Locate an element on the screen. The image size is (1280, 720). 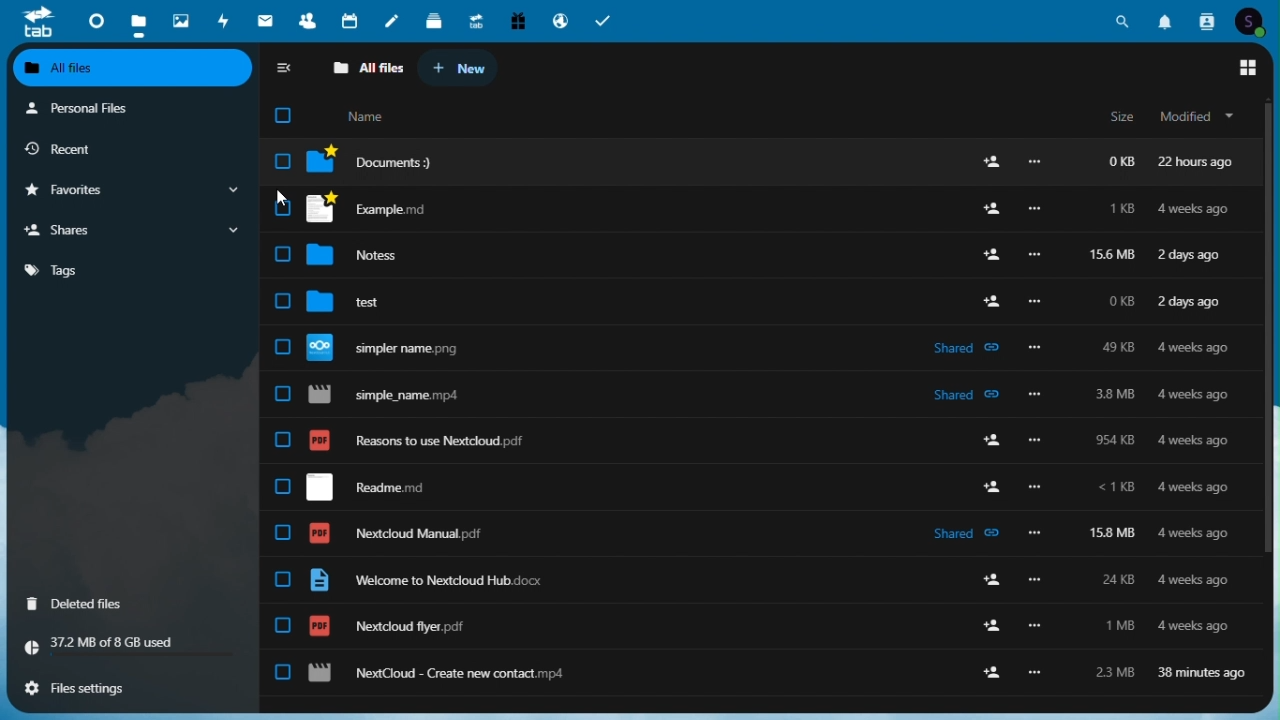
check box is located at coordinates (283, 160).